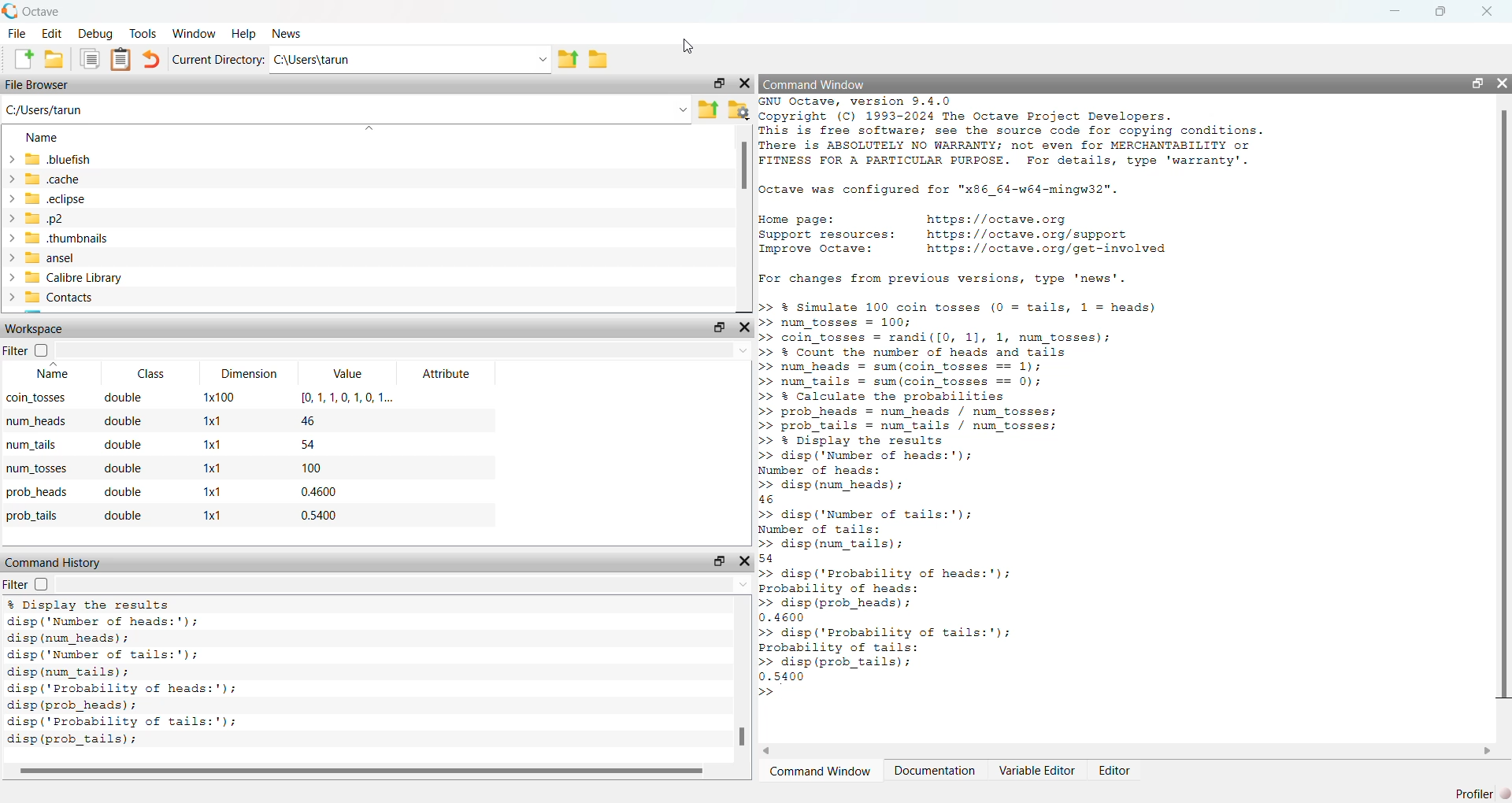  What do you see at coordinates (819, 771) in the screenshot?
I see `Command Window` at bounding box center [819, 771].